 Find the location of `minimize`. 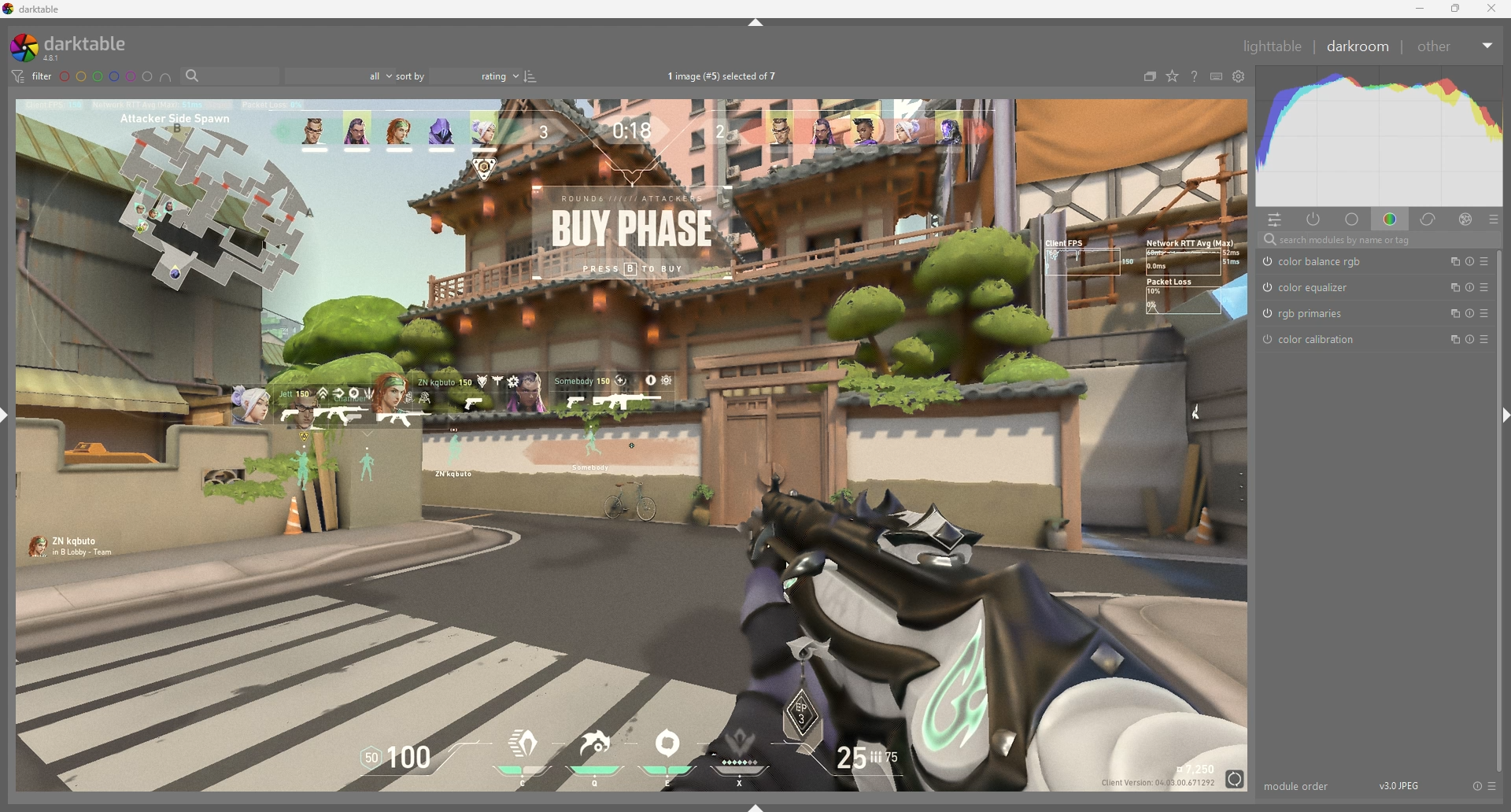

minimize is located at coordinates (1420, 8).